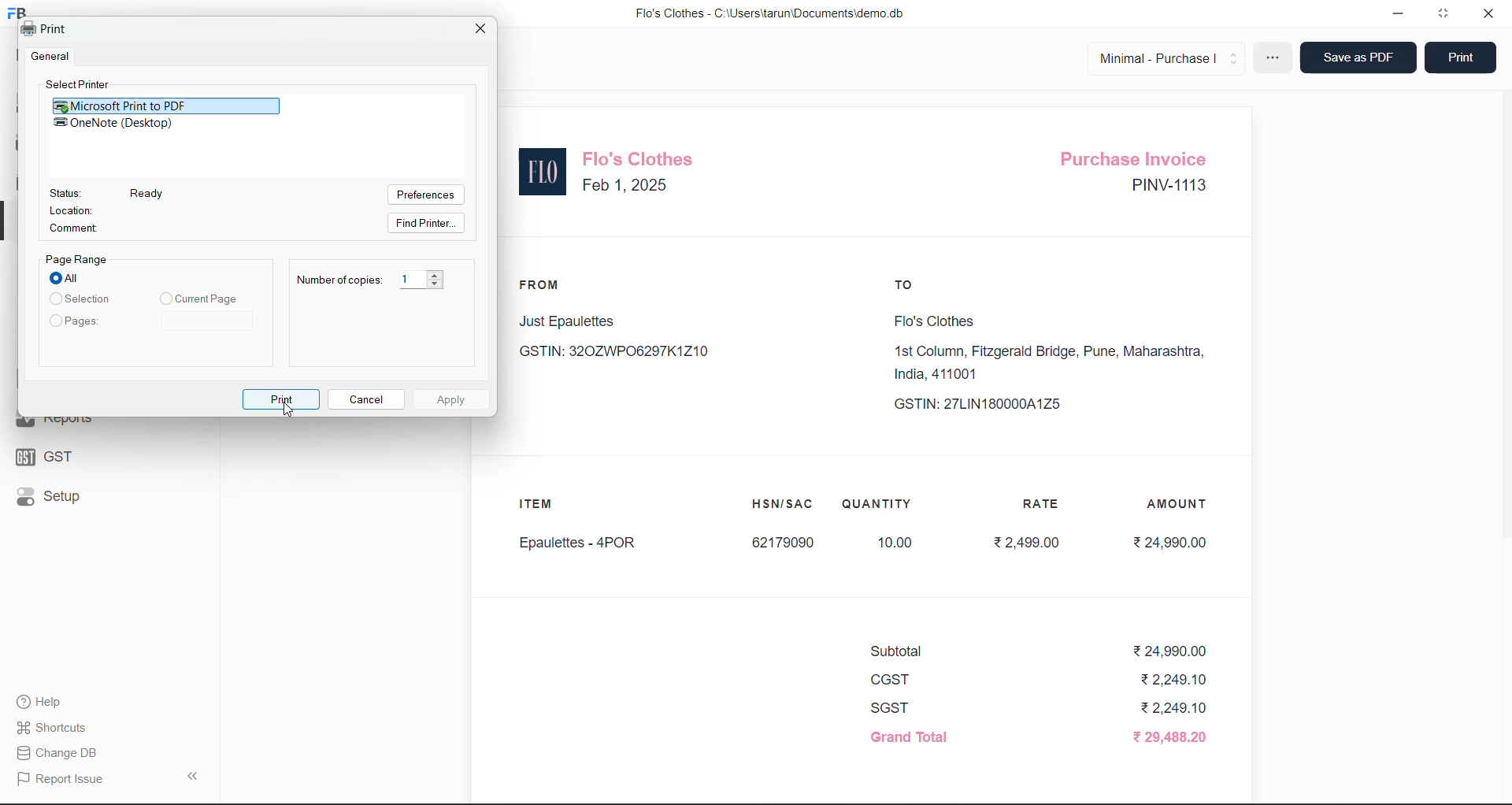 The width and height of the screenshot is (1512, 805). What do you see at coordinates (69, 210) in the screenshot?
I see `Location:` at bounding box center [69, 210].